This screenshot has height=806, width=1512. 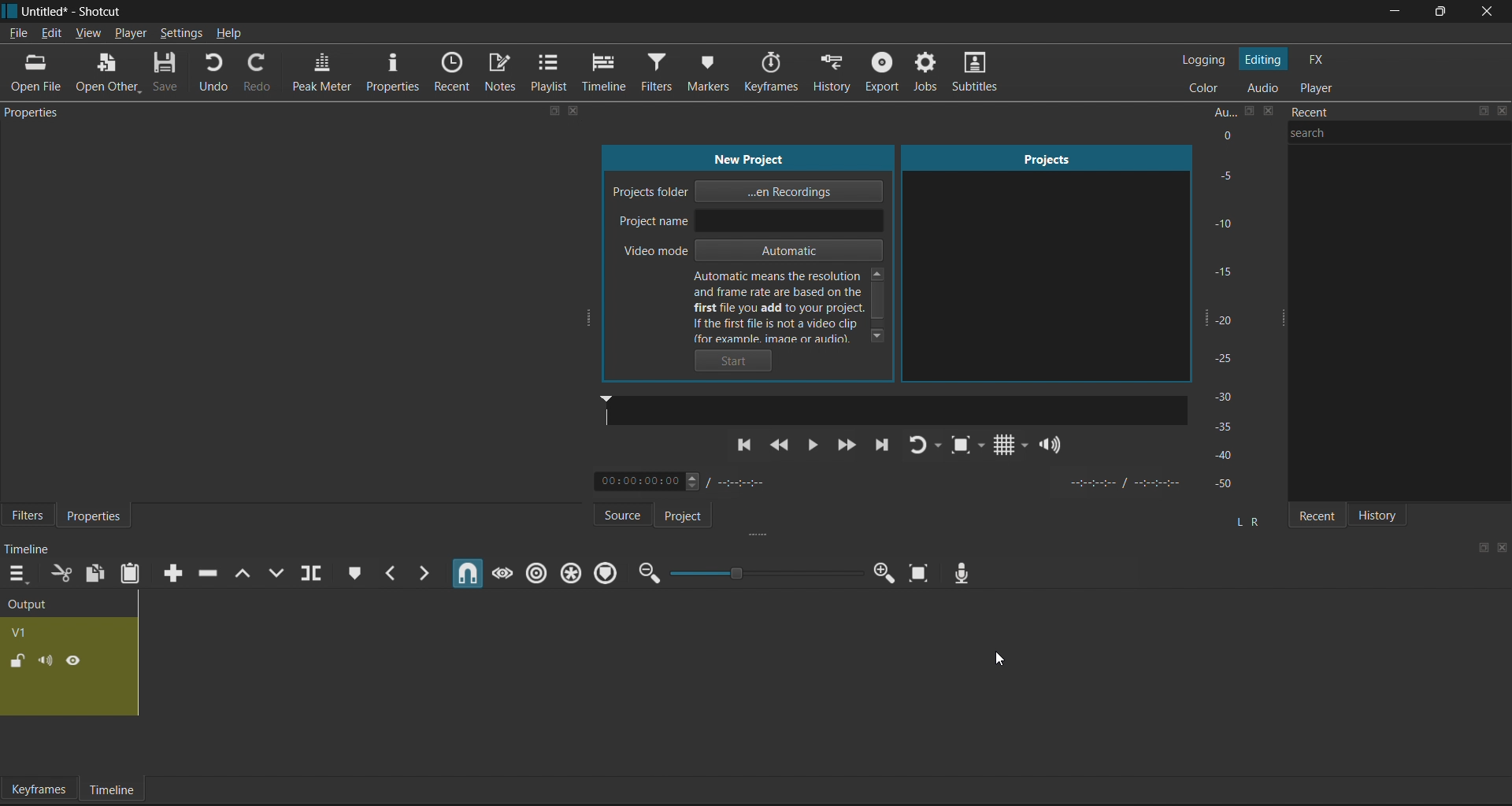 What do you see at coordinates (750, 222) in the screenshot?
I see `Project name` at bounding box center [750, 222].